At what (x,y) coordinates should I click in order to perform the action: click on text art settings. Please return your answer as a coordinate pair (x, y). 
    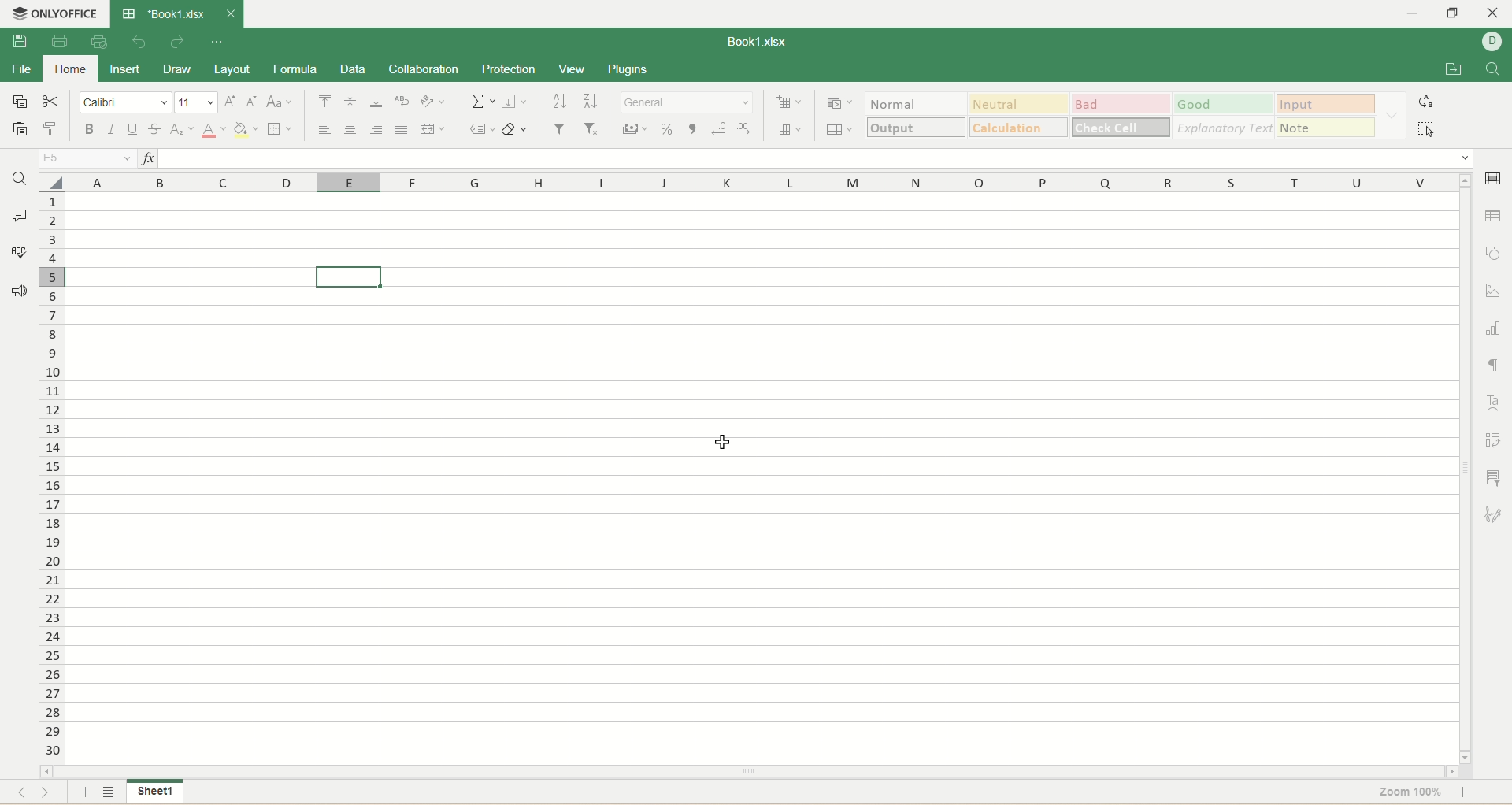
    Looking at the image, I should click on (1494, 403).